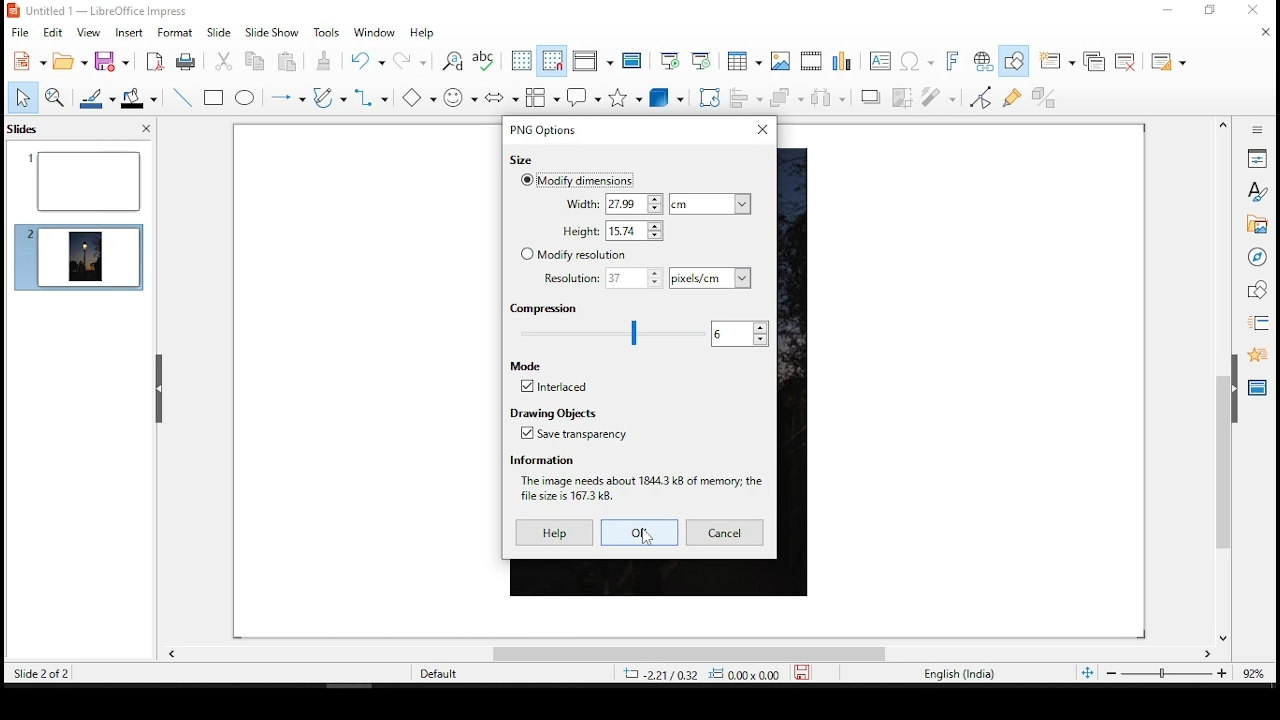  I want to click on slide, so click(219, 33).